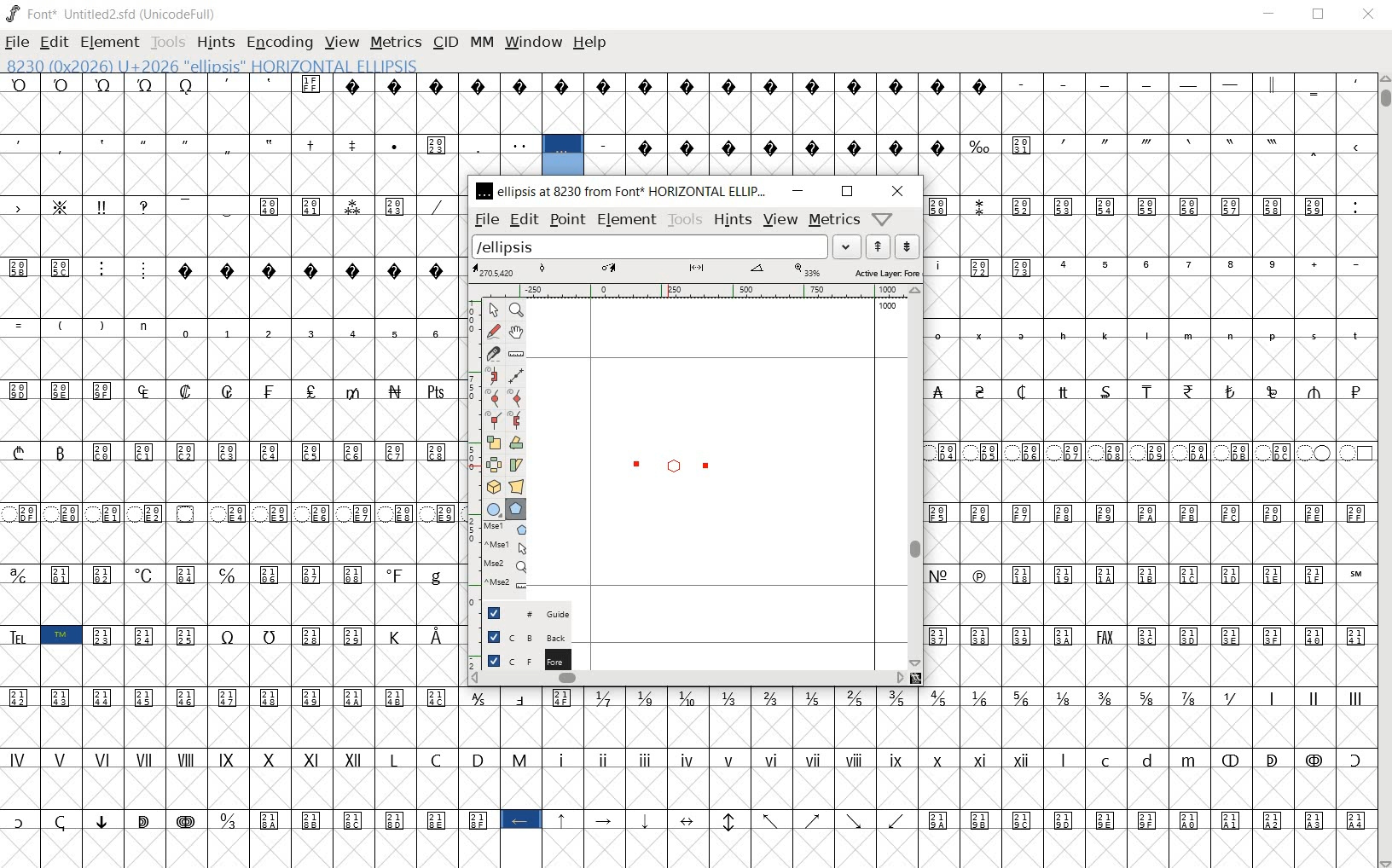  Describe the element at coordinates (112, 42) in the screenshot. I see `ELEMENT` at that location.